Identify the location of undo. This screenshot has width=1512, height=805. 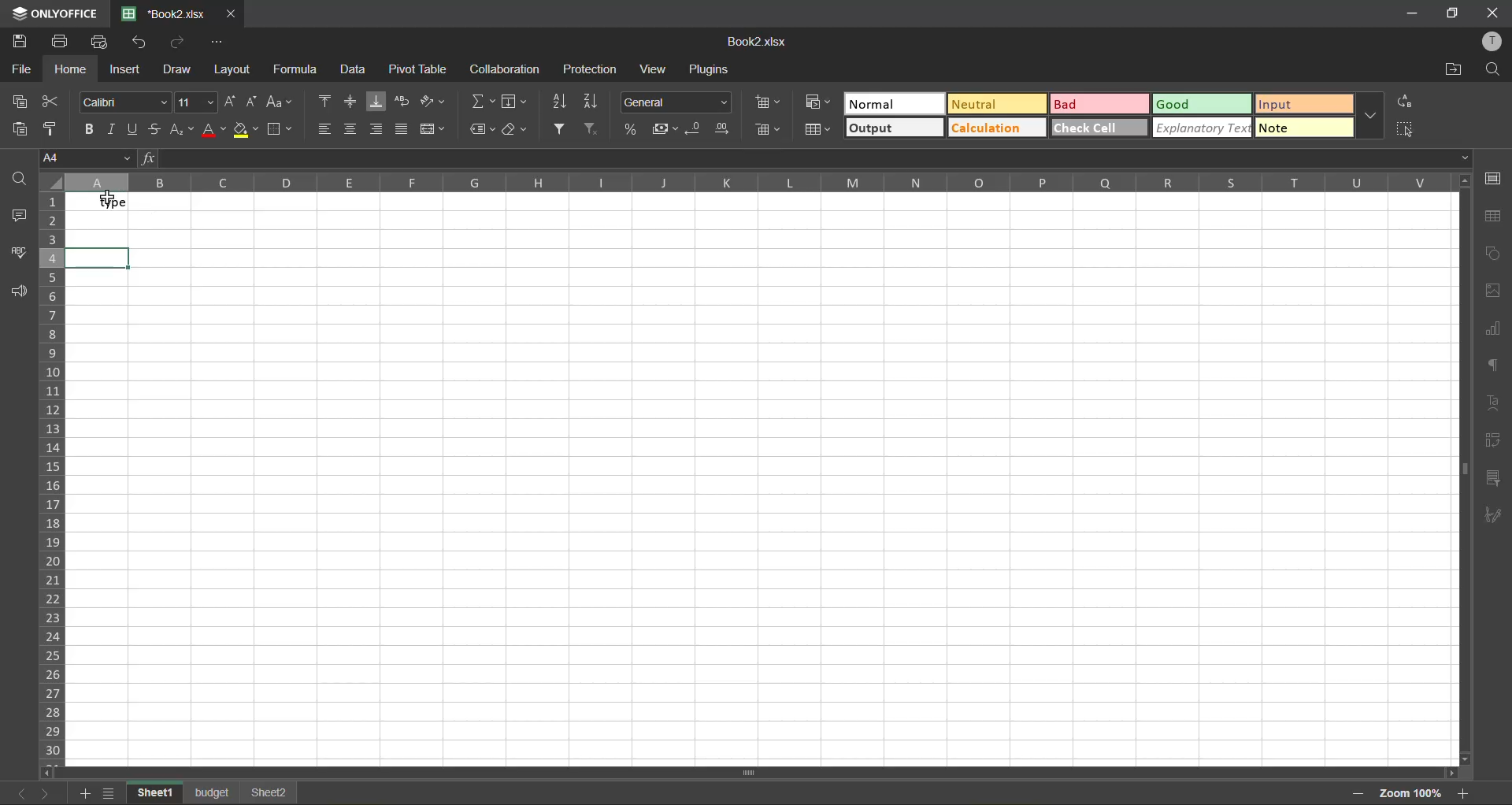
(140, 43).